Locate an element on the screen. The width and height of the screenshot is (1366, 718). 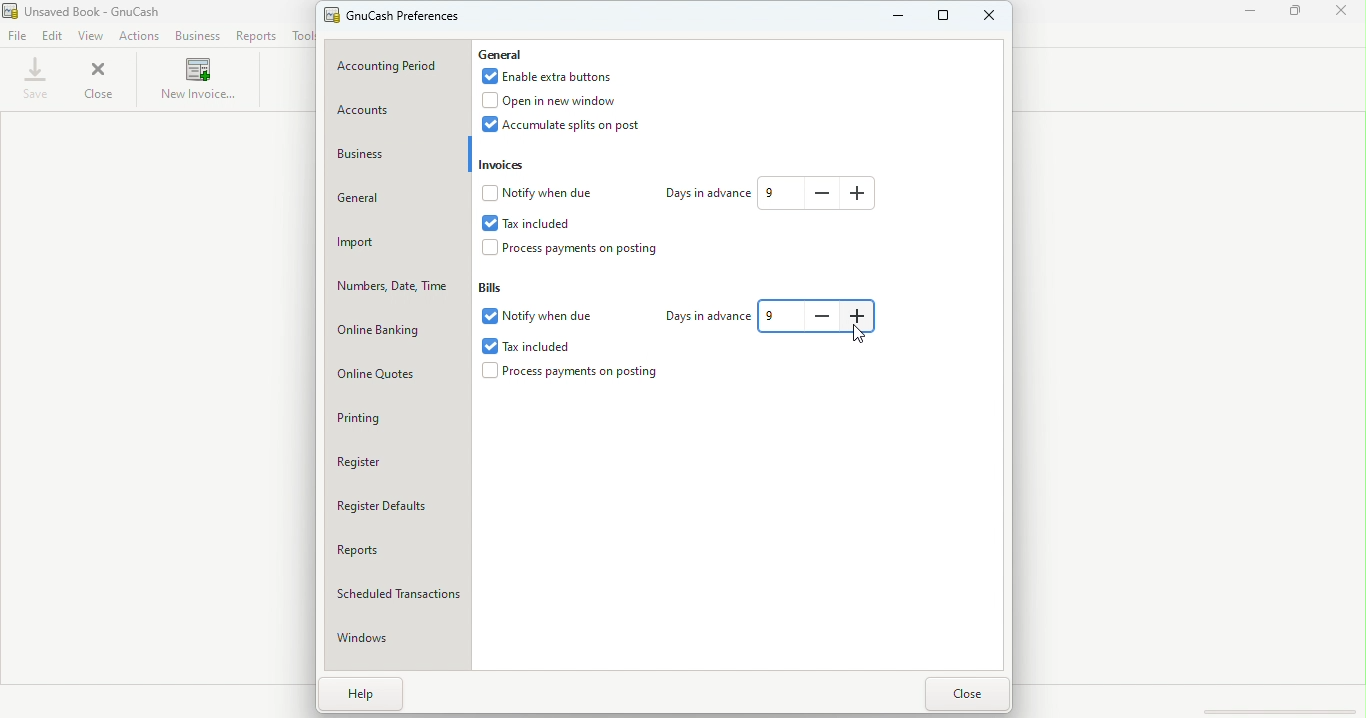
View is located at coordinates (92, 36).